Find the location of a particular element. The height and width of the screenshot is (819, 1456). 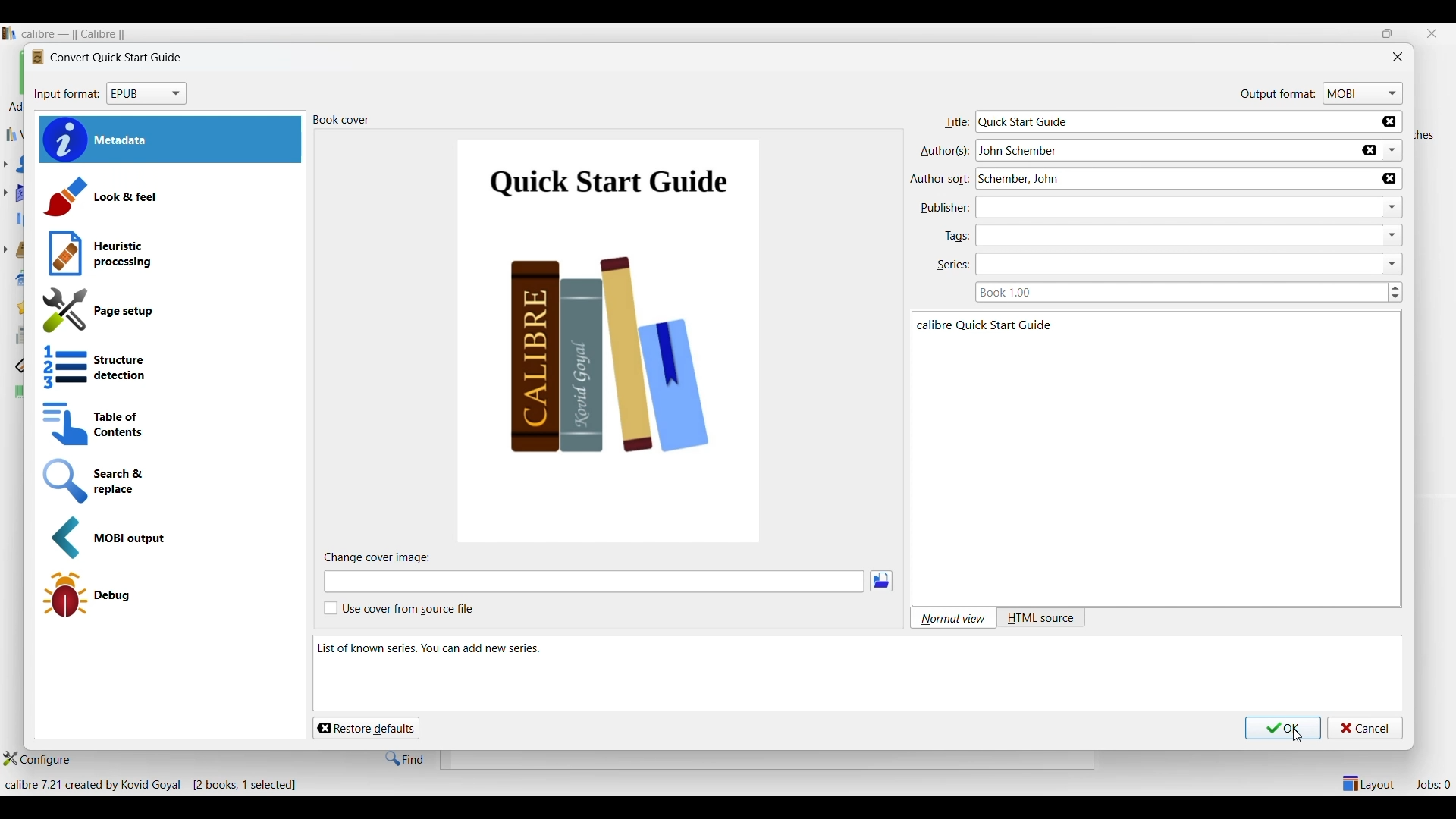

Save is located at coordinates (1284, 728).